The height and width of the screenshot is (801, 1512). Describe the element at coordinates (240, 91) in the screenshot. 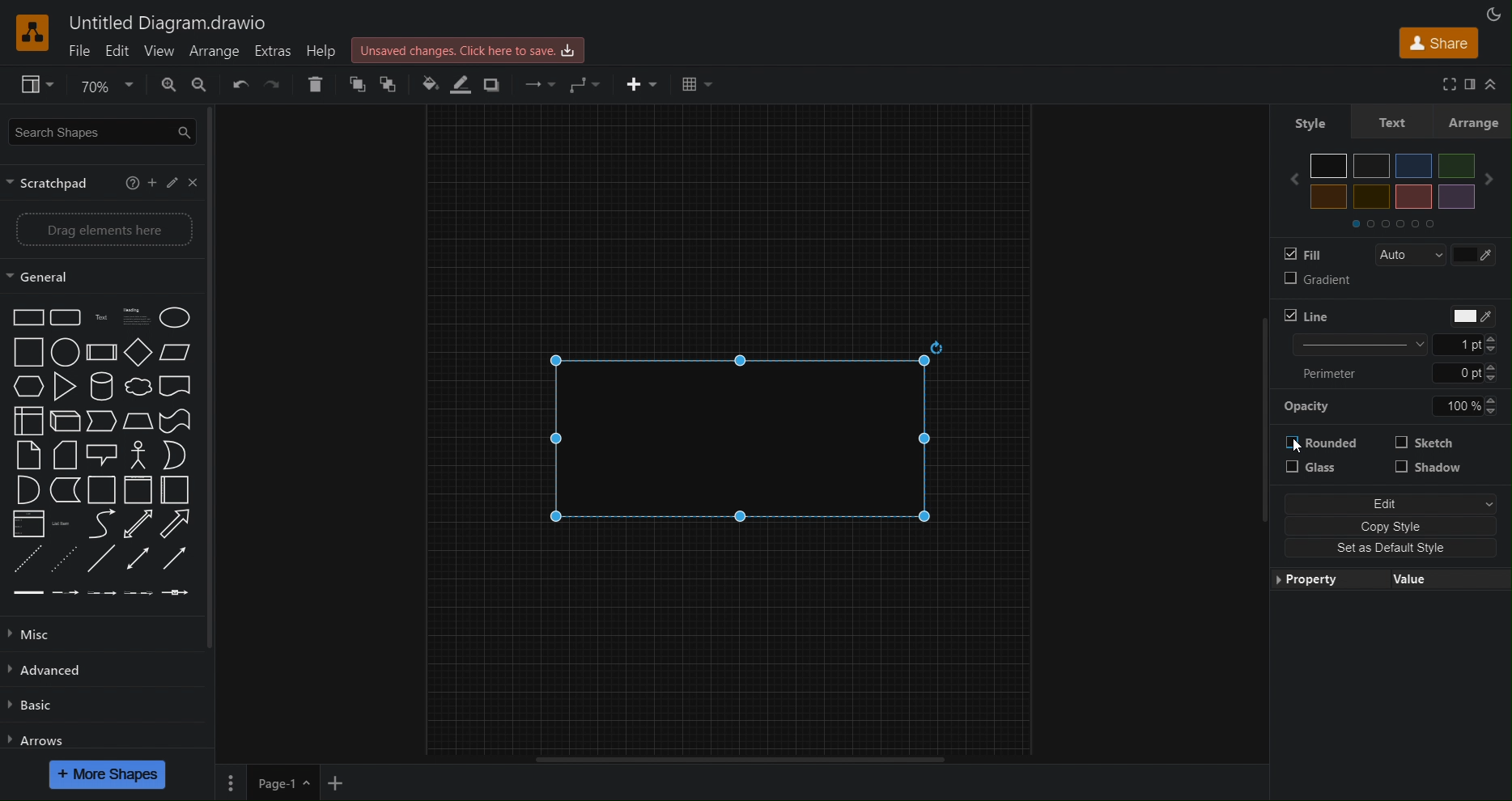

I see `Undo` at that location.